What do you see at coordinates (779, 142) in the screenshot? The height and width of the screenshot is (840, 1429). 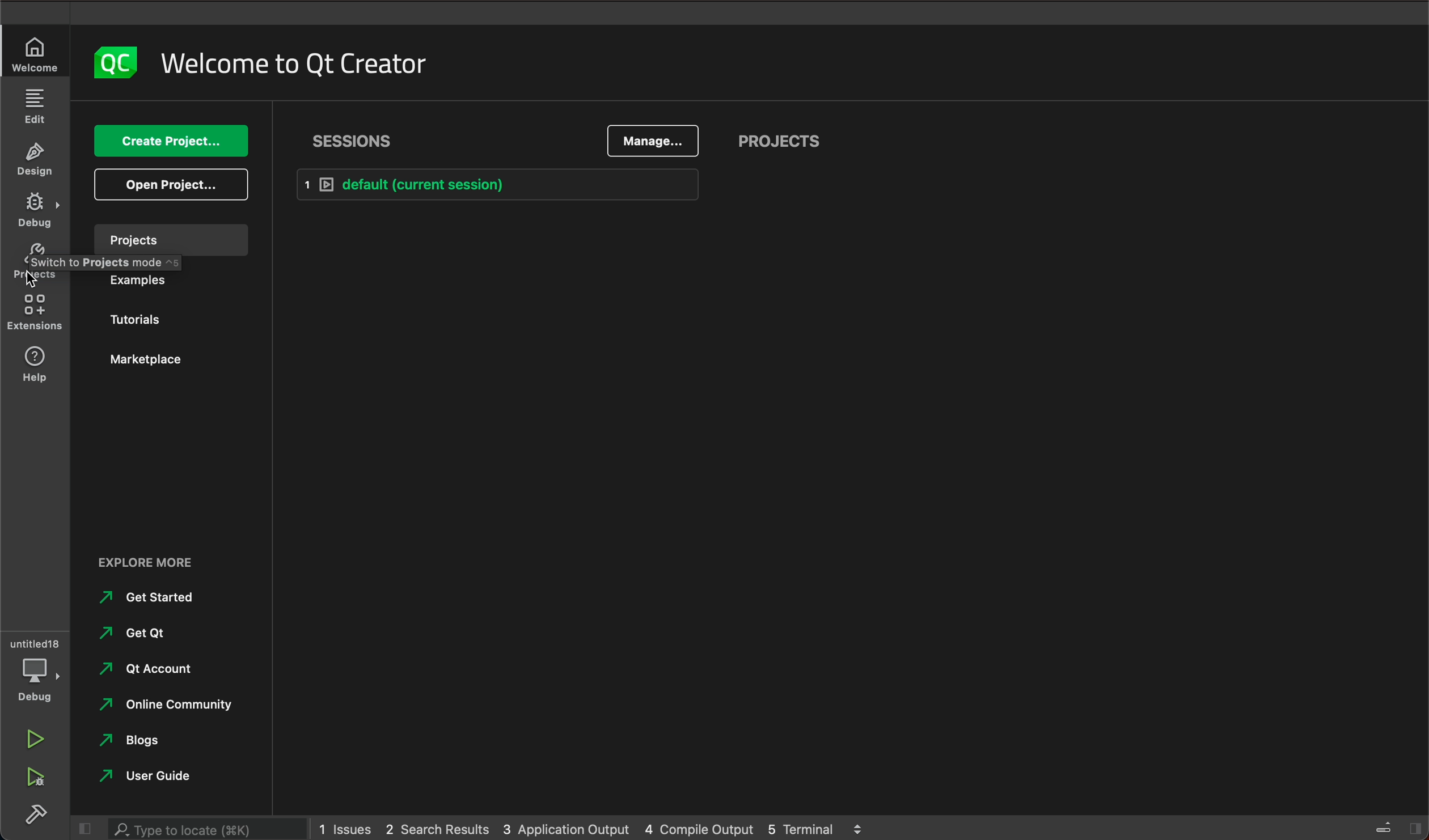 I see `projects` at bounding box center [779, 142].